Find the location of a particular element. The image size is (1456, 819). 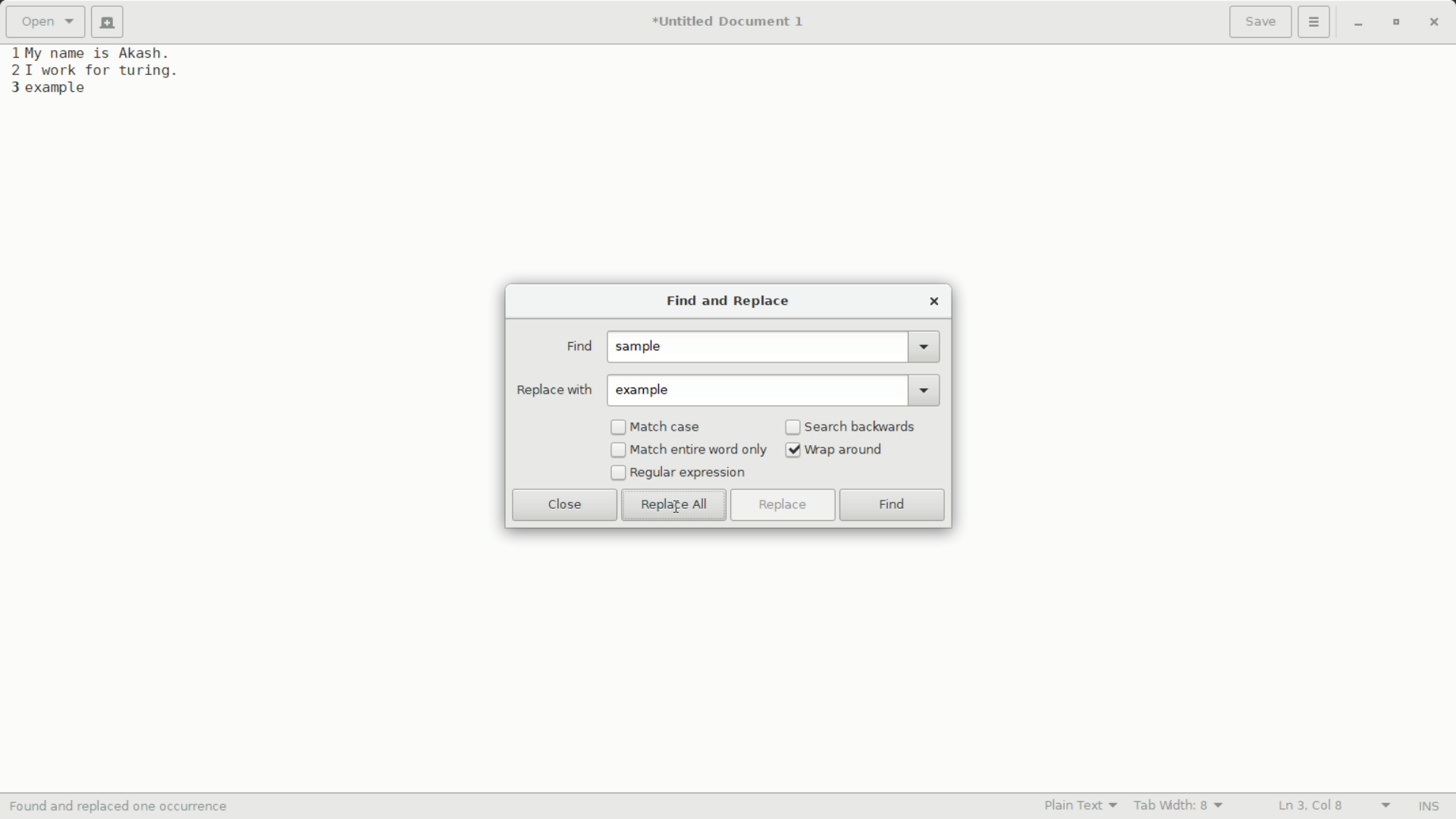

wrap around is located at coordinates (847, 450).